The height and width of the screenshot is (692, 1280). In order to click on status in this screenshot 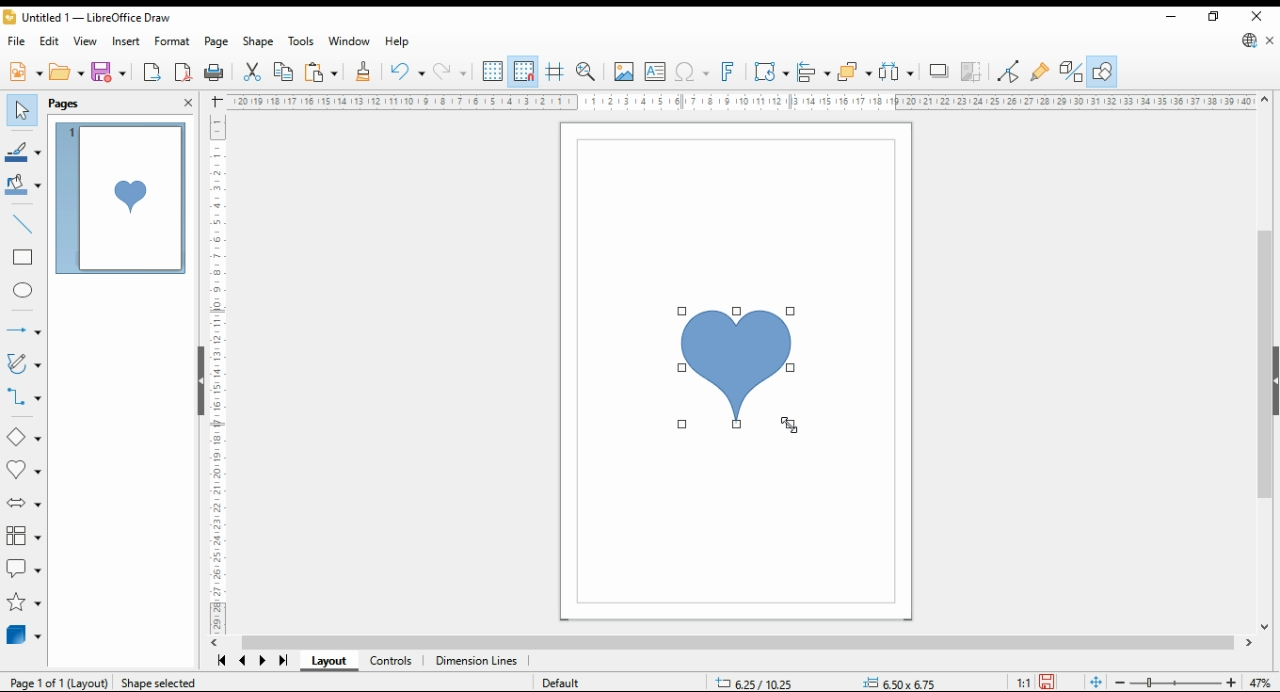, I will do `click(822, 682)`.